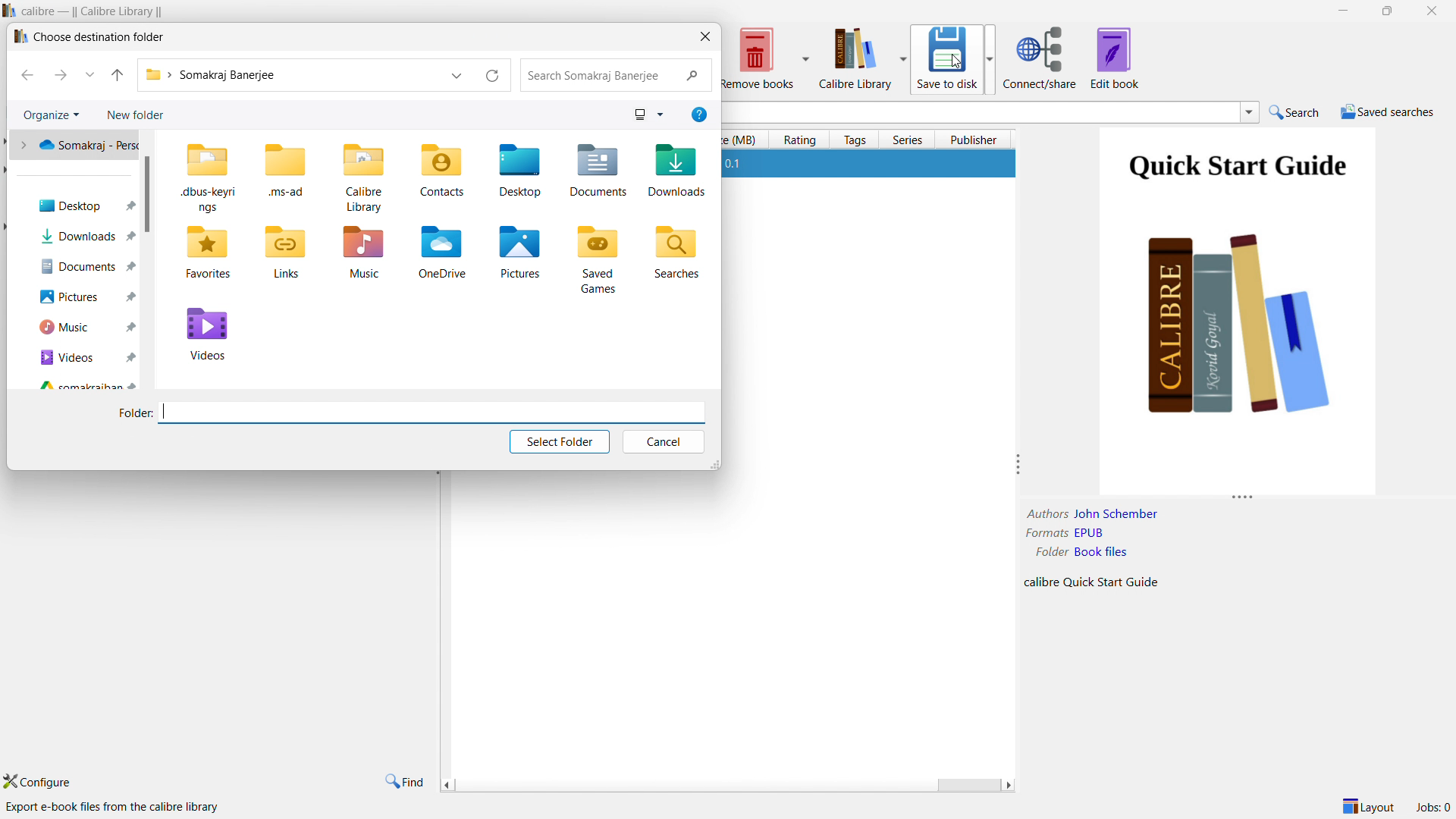 This screenshot has height=819, width=1456. Describe the element at coordinates (75, 145) in the screenshot. I see `Somakraj - pers` at that location.